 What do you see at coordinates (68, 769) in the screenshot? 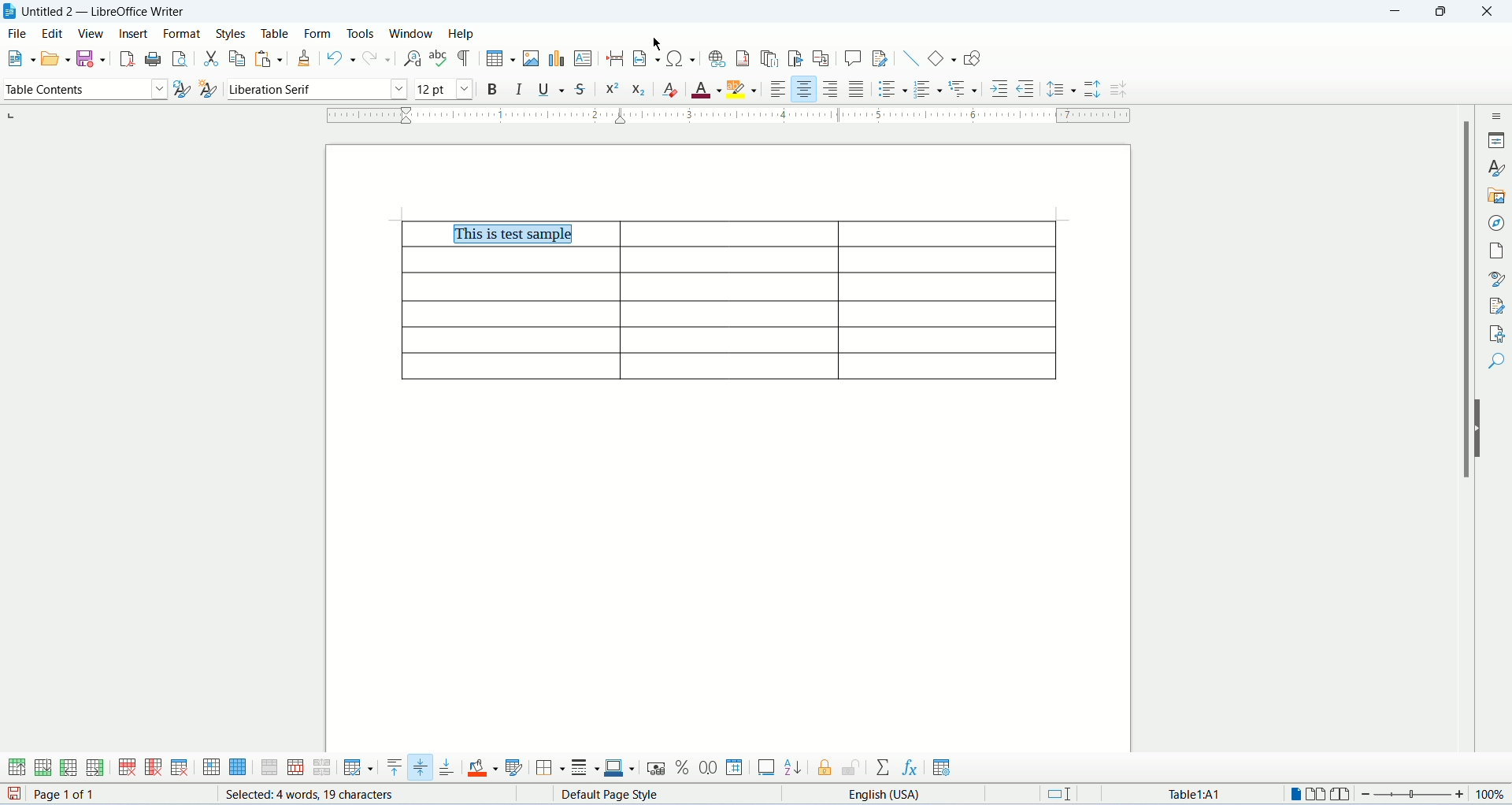
I see `insert columns before` at bounding box center [68, 769].